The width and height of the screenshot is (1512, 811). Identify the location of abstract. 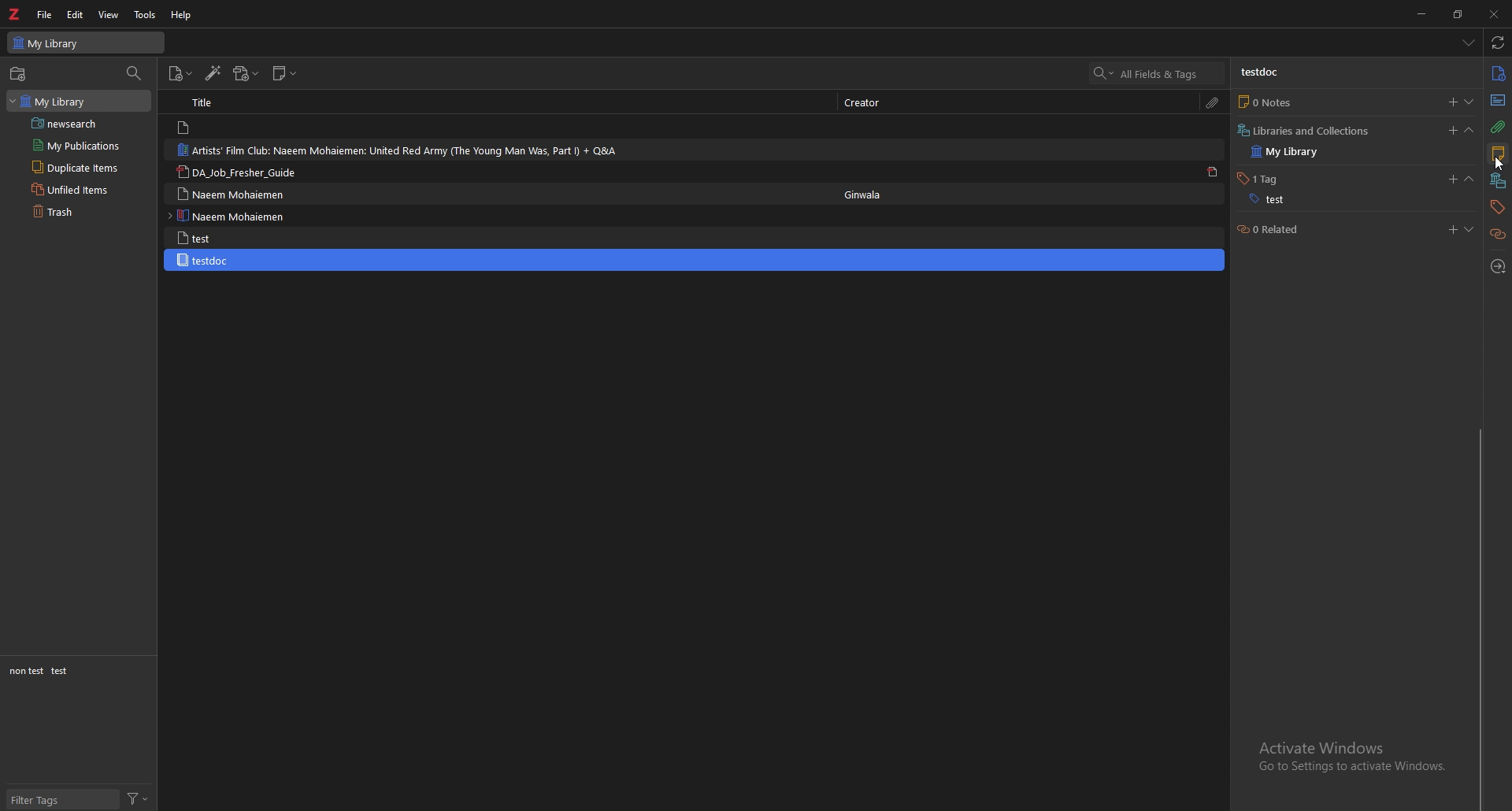
(1498, 102).